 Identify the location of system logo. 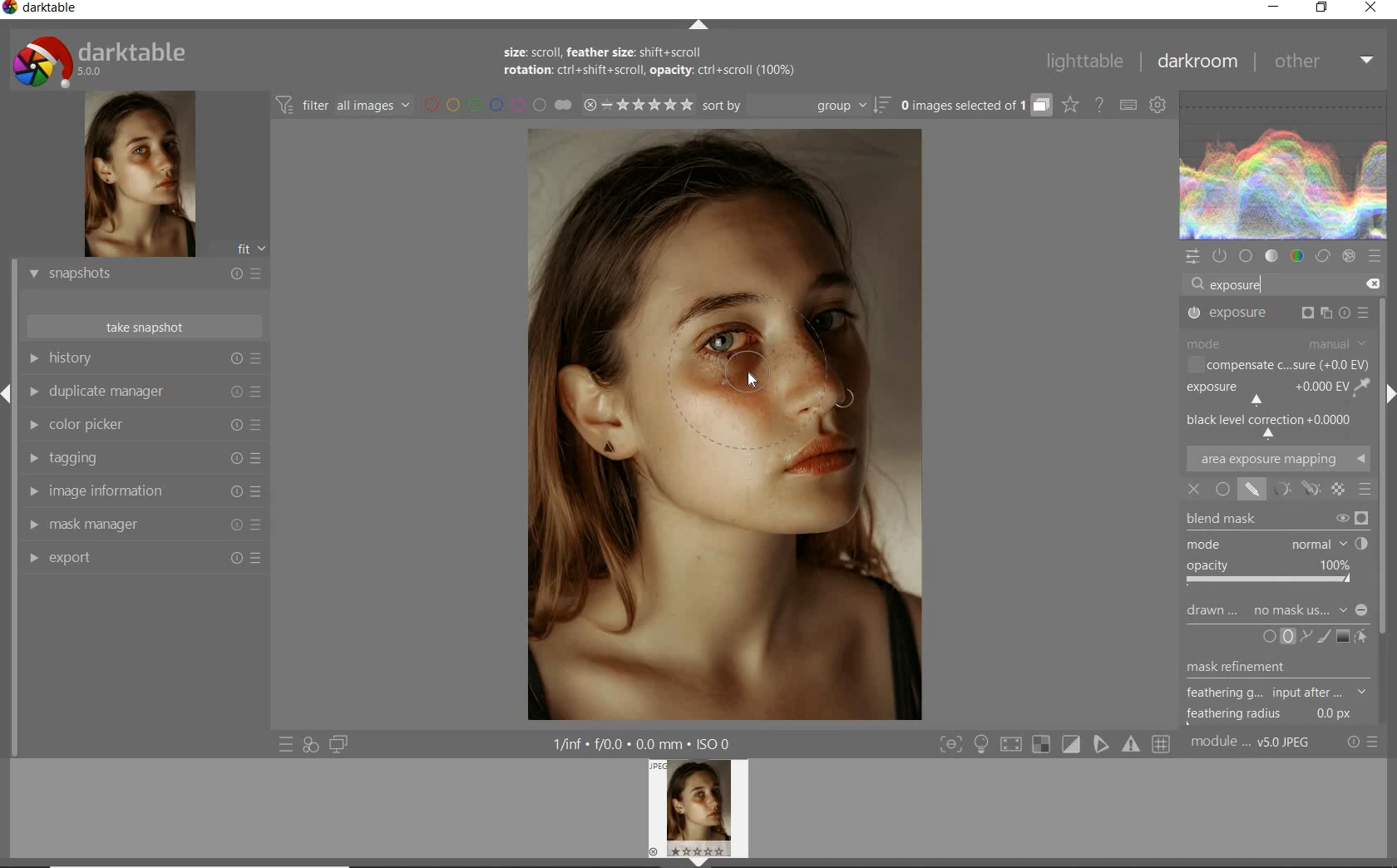
(108, 59).